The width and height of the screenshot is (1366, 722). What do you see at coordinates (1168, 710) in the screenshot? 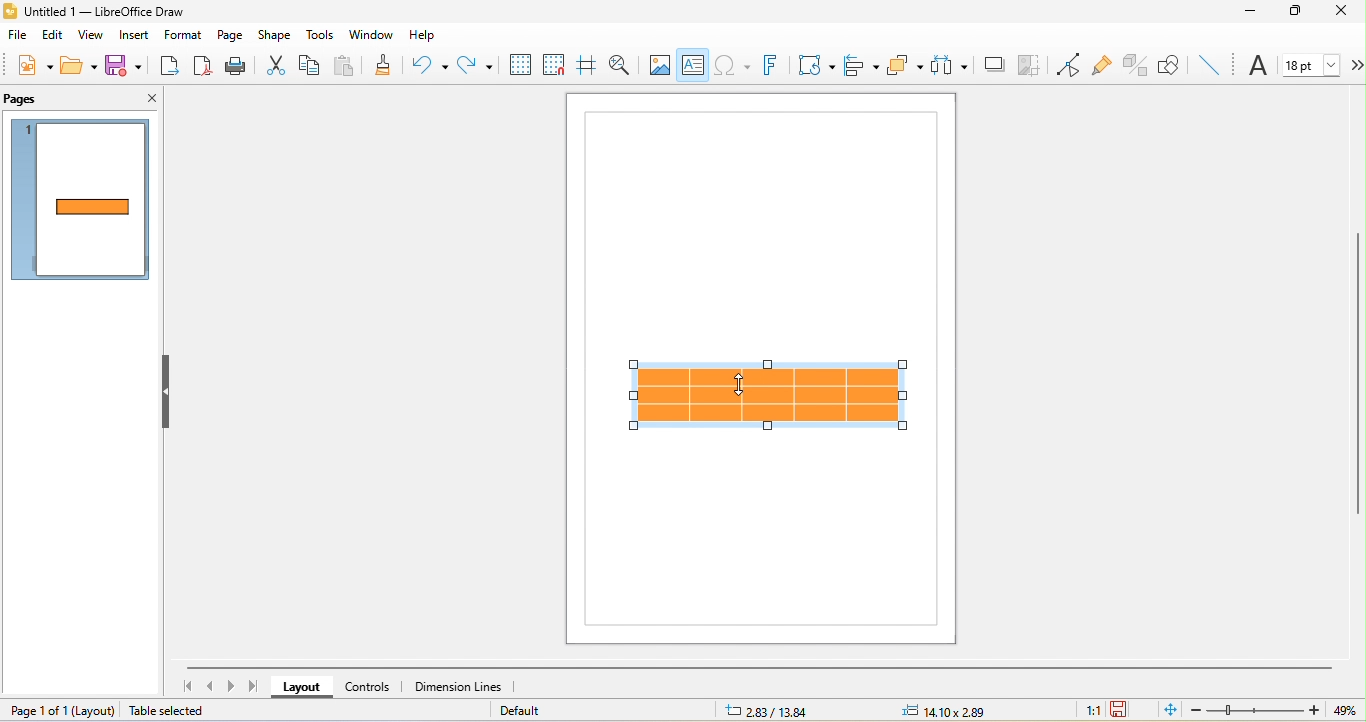
I see `fit page to current window` at bounding box center [1168, 710].